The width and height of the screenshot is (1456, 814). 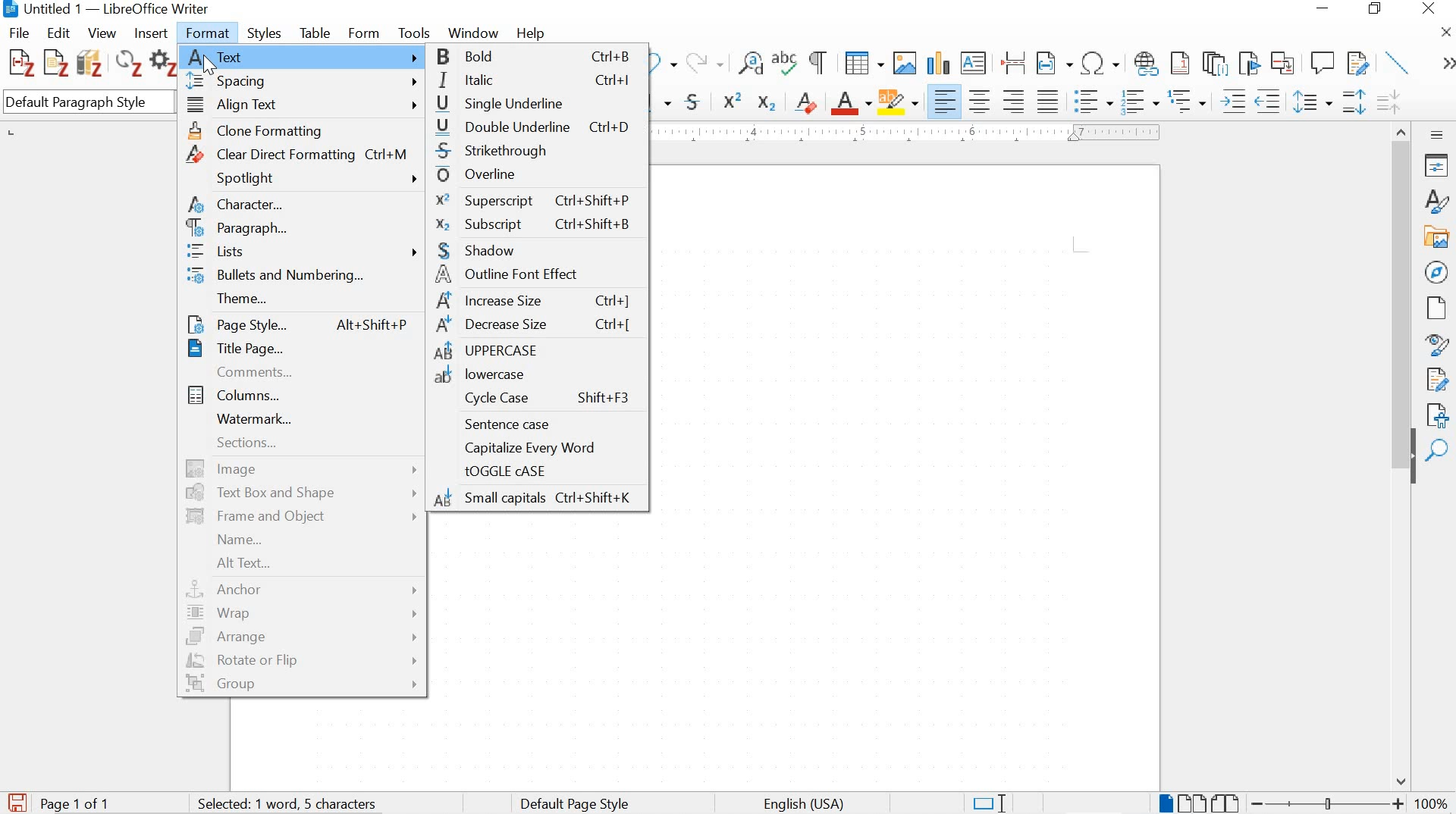 I want to click on file, so click(x=20, y=33).